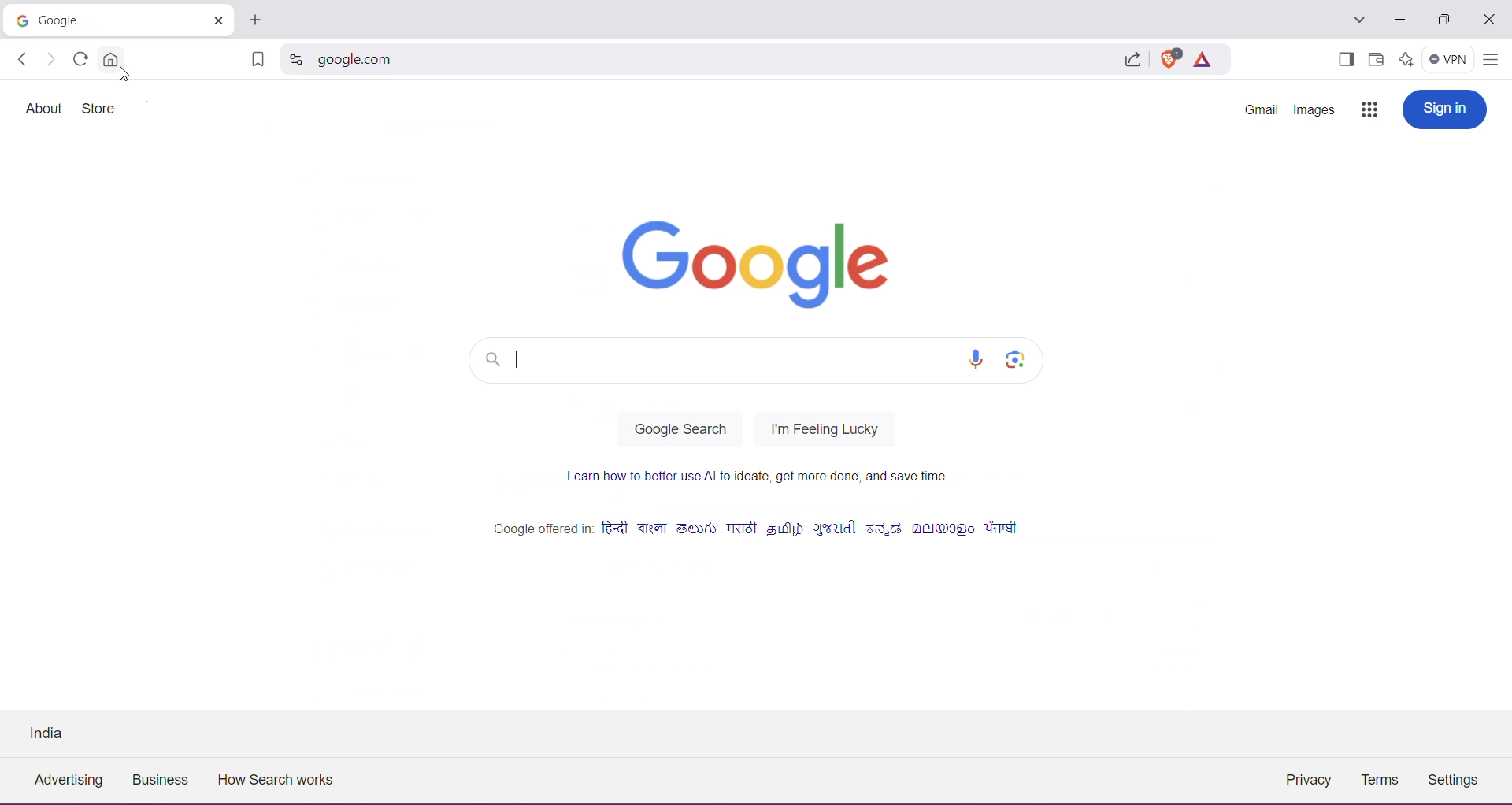  Describe the element at coordinates (979, 359) in the screenshot. I see `Search by voice` at that location.